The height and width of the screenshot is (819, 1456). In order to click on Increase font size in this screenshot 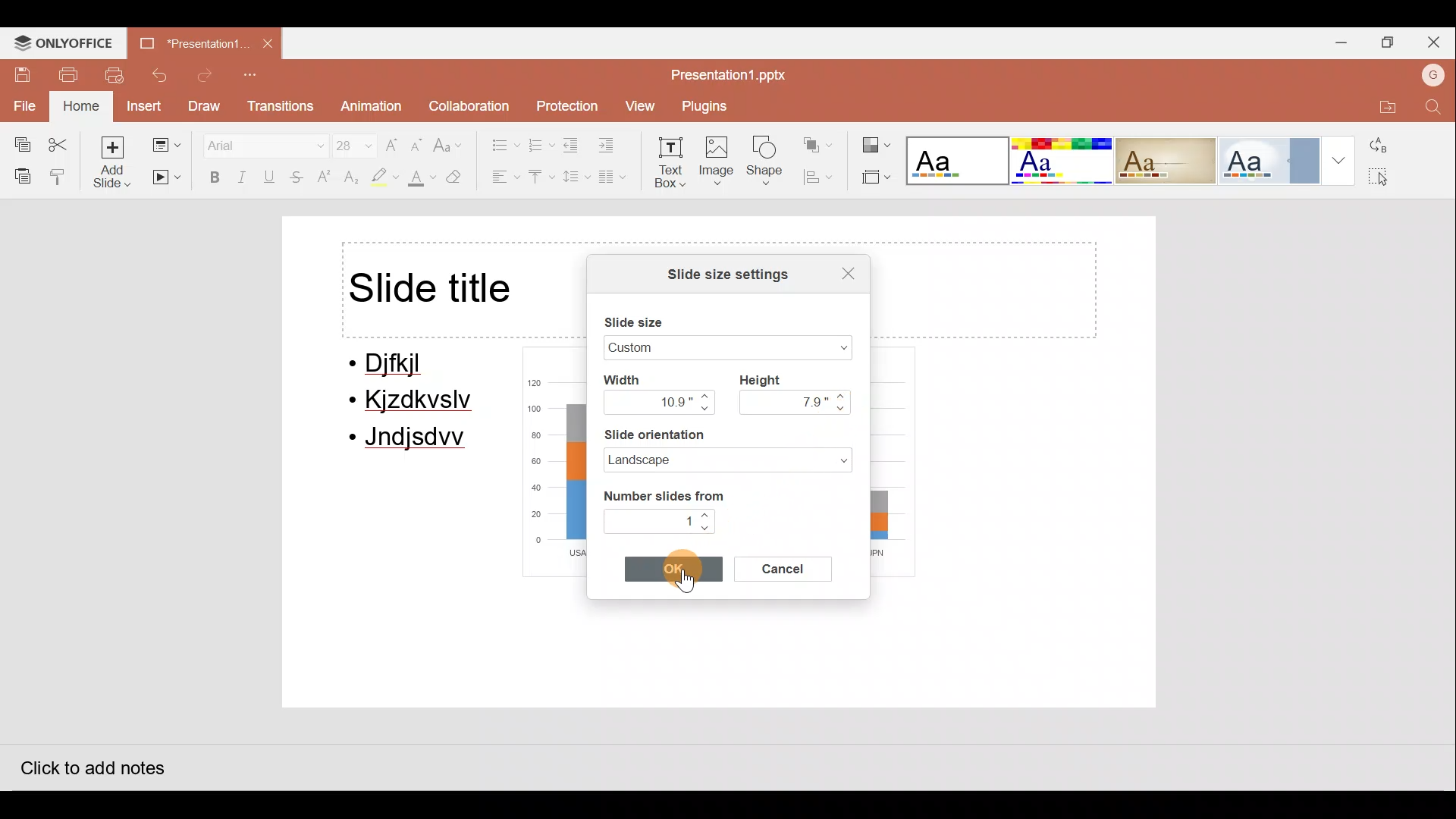, I will do `click(393, 140)`.